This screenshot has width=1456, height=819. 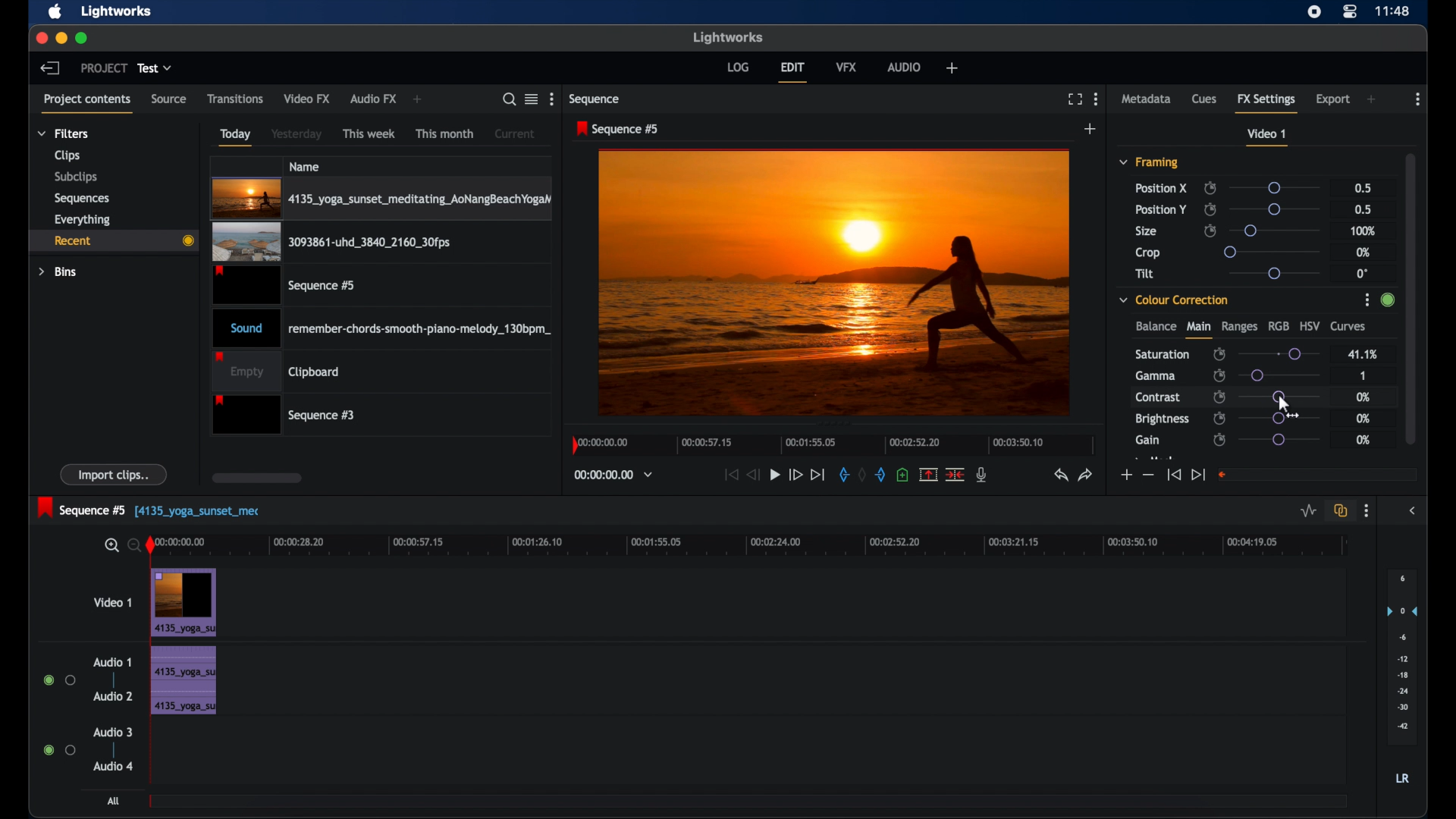 I want to click on zoom, so click(x=120, y=544).